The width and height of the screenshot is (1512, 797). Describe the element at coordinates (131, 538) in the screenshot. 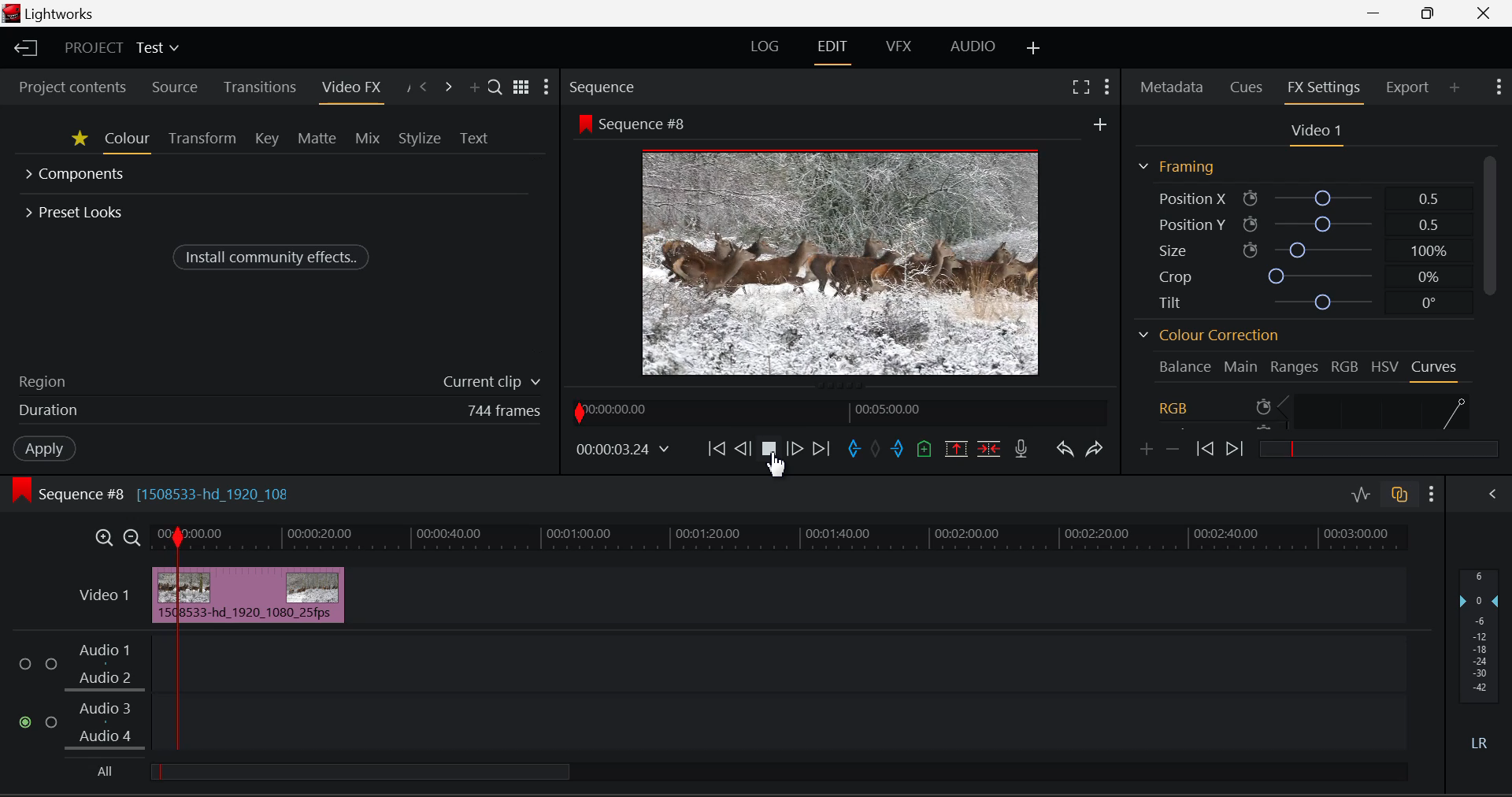

I see `Timeline Zoom Out` at that location.